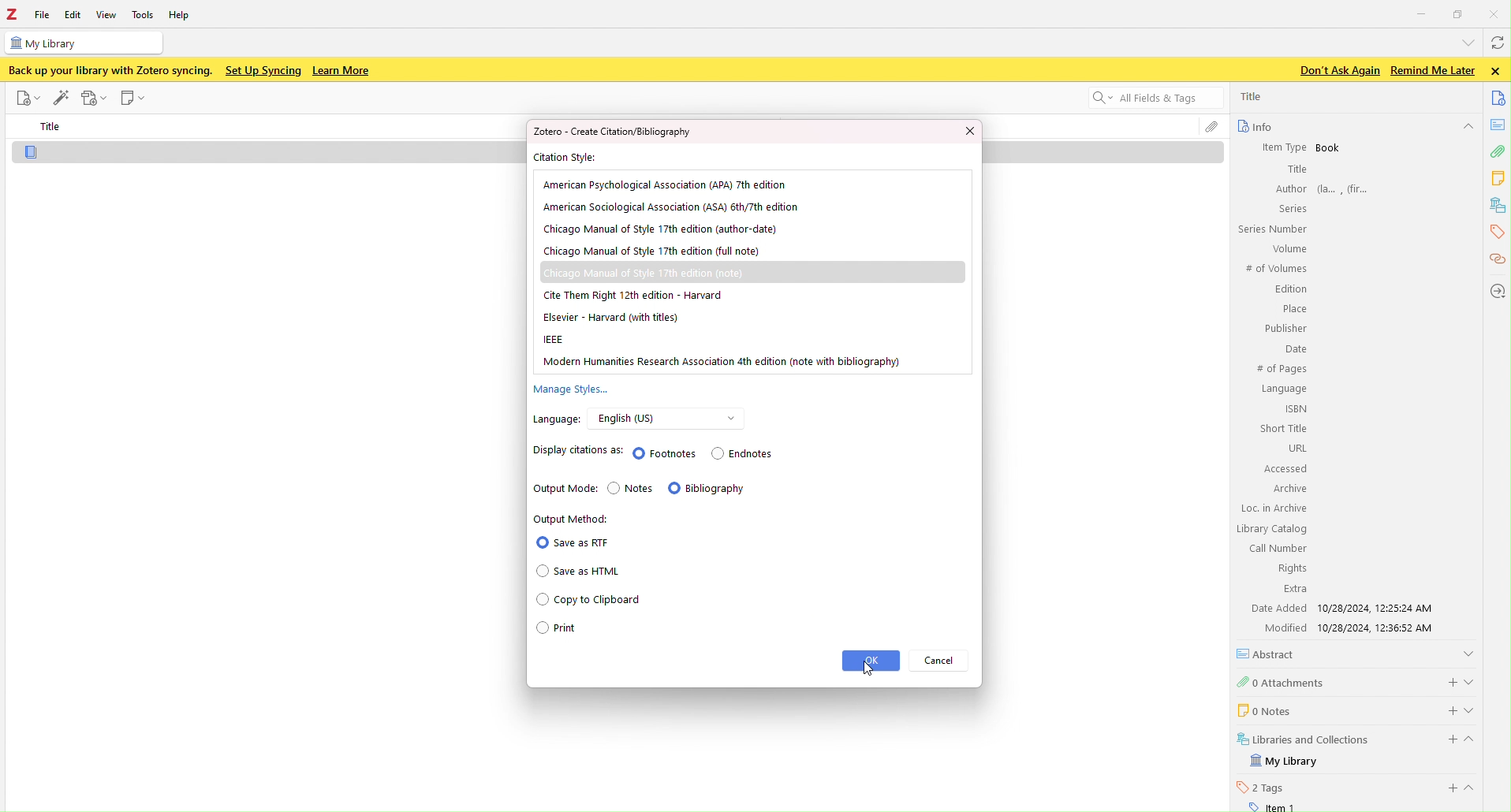  What do you see at coordinates (871, 661) in the screenshot?
I see `ok` at bounding box center [871, 661].